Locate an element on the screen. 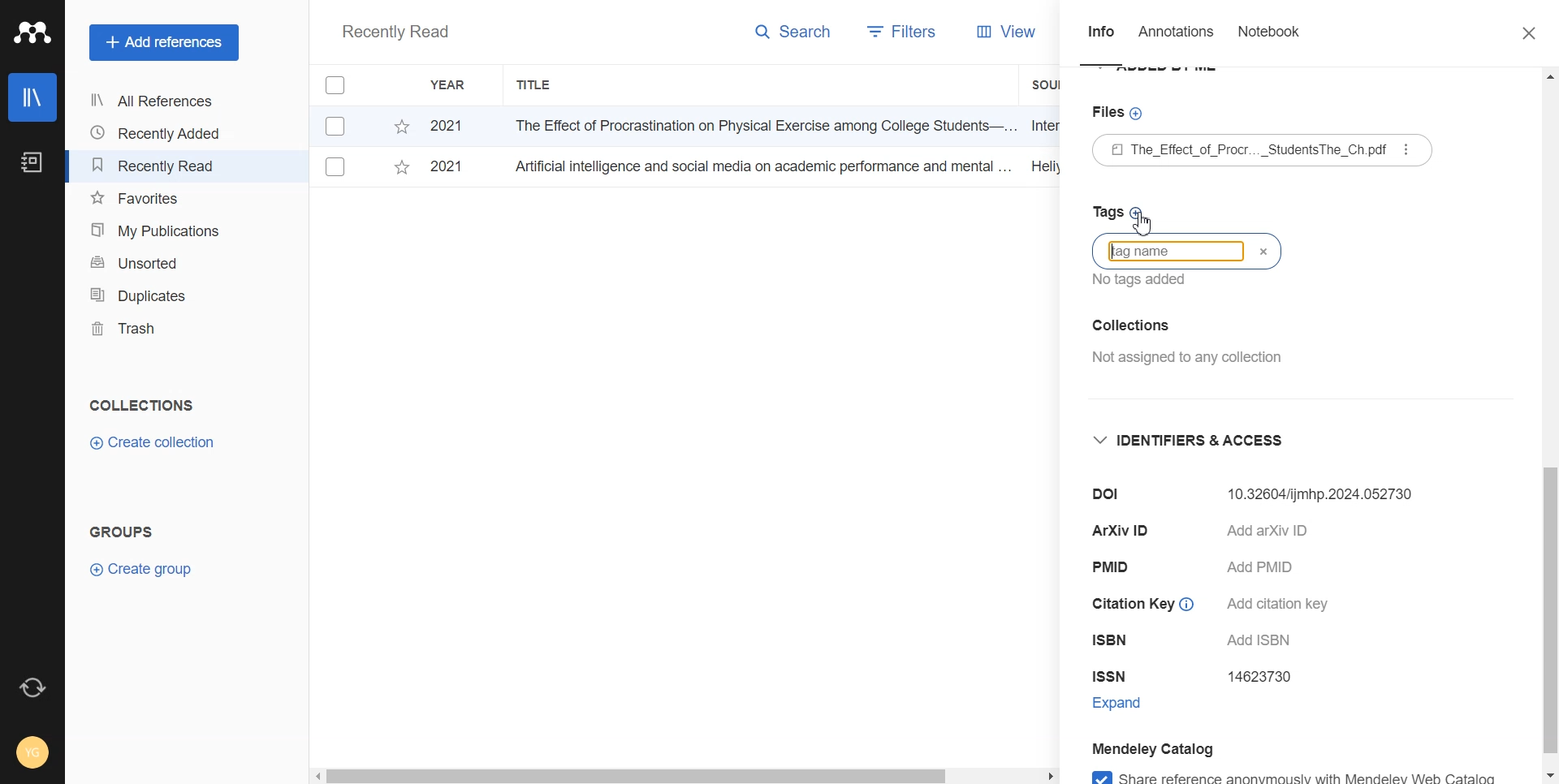  Library is located at coordinates (33, 97).